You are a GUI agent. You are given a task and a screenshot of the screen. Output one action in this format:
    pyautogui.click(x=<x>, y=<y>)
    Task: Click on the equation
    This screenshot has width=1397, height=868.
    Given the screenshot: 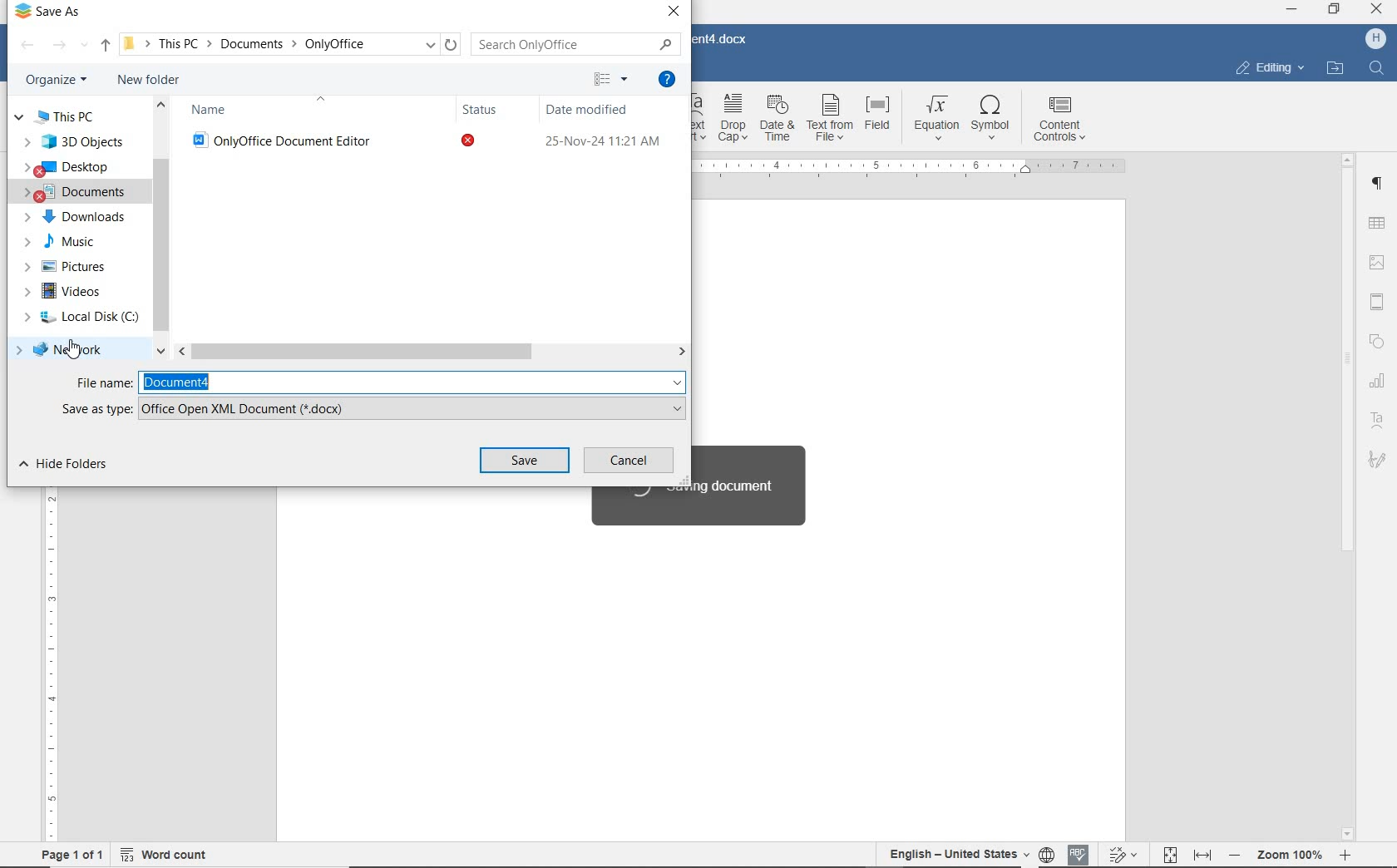 What is the action you would take?
    pyautogui.click(x=938, y=116)
    